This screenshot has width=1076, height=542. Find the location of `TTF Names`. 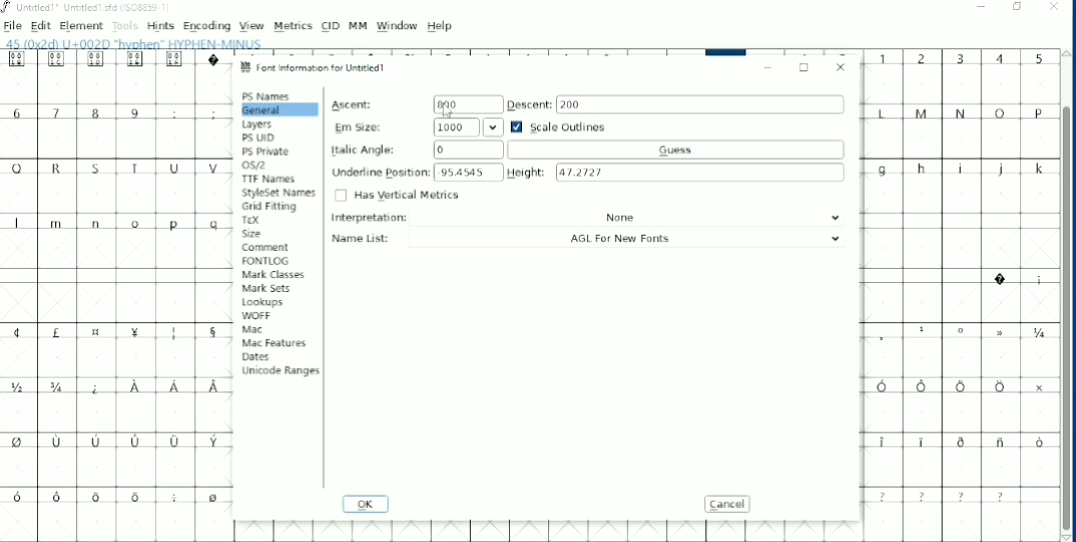

TTF Names is located at coordinates (269, 179).